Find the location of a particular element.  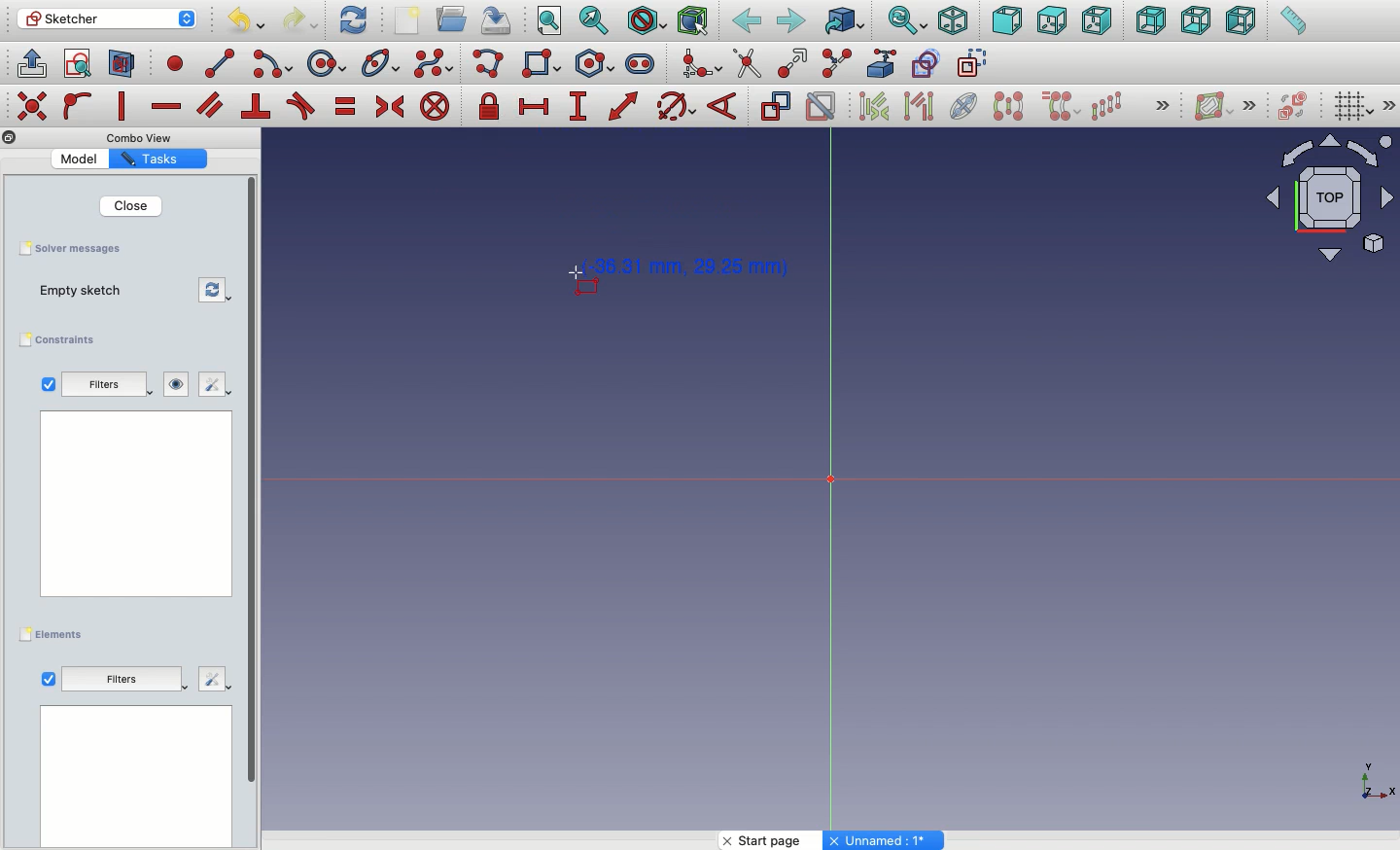

Draw style is located at coordinates (646, 21).